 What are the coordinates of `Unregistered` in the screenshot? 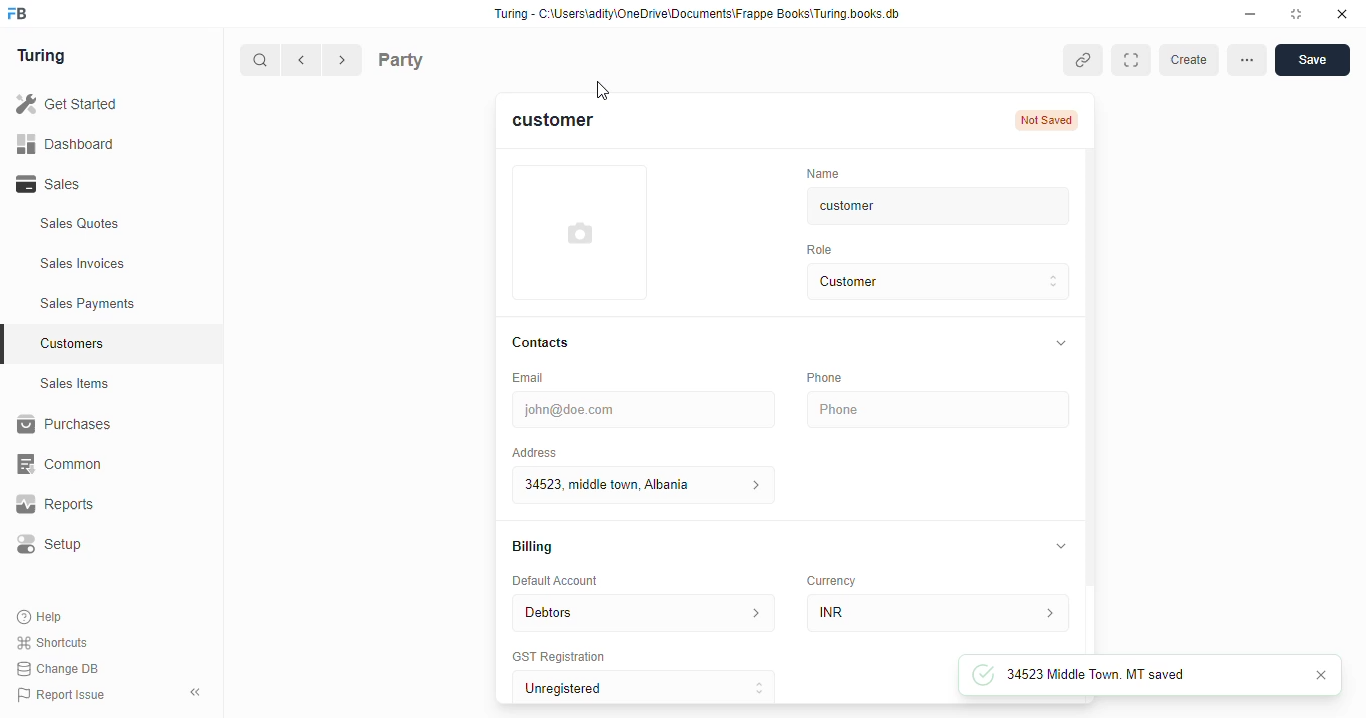 It's located at (646, 684).